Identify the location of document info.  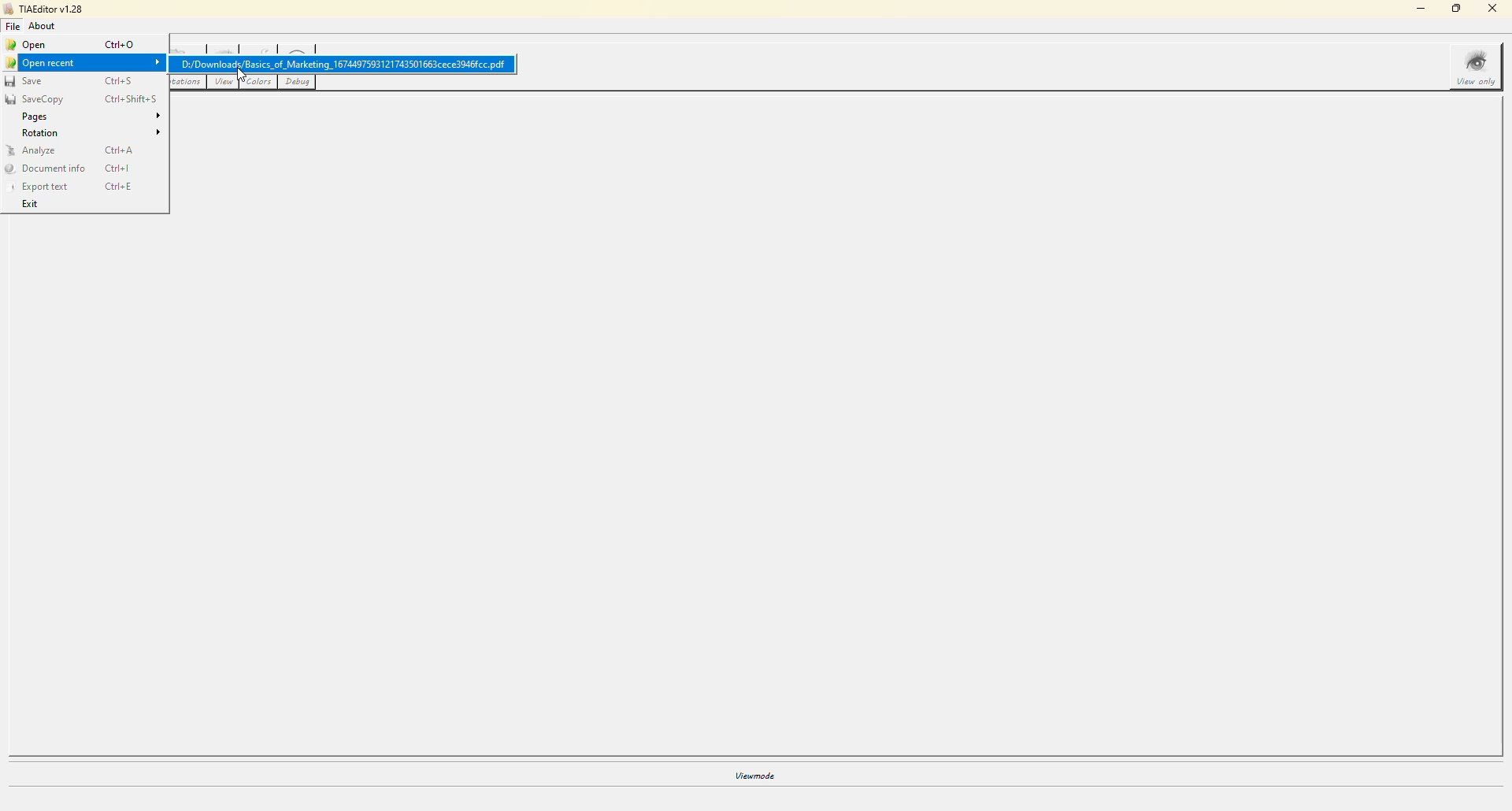
(53, 168).